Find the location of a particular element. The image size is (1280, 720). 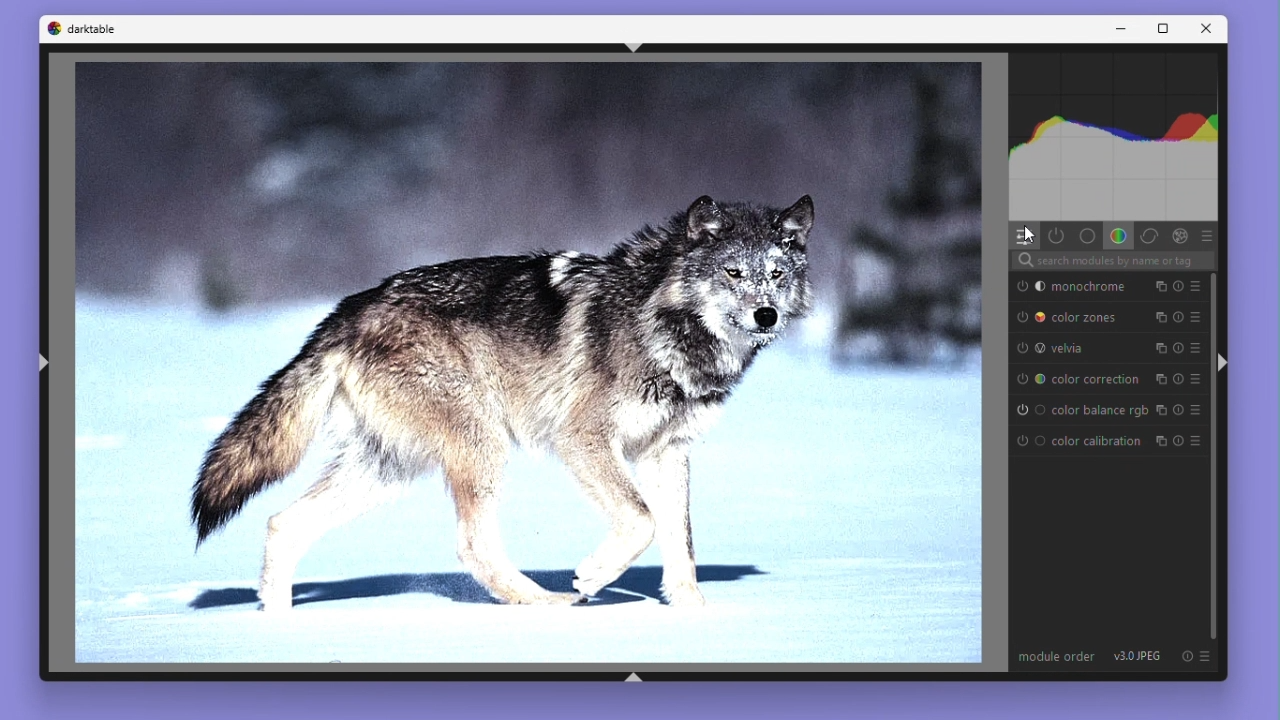

multiple instance actions is located at coordinates (1160, 380).